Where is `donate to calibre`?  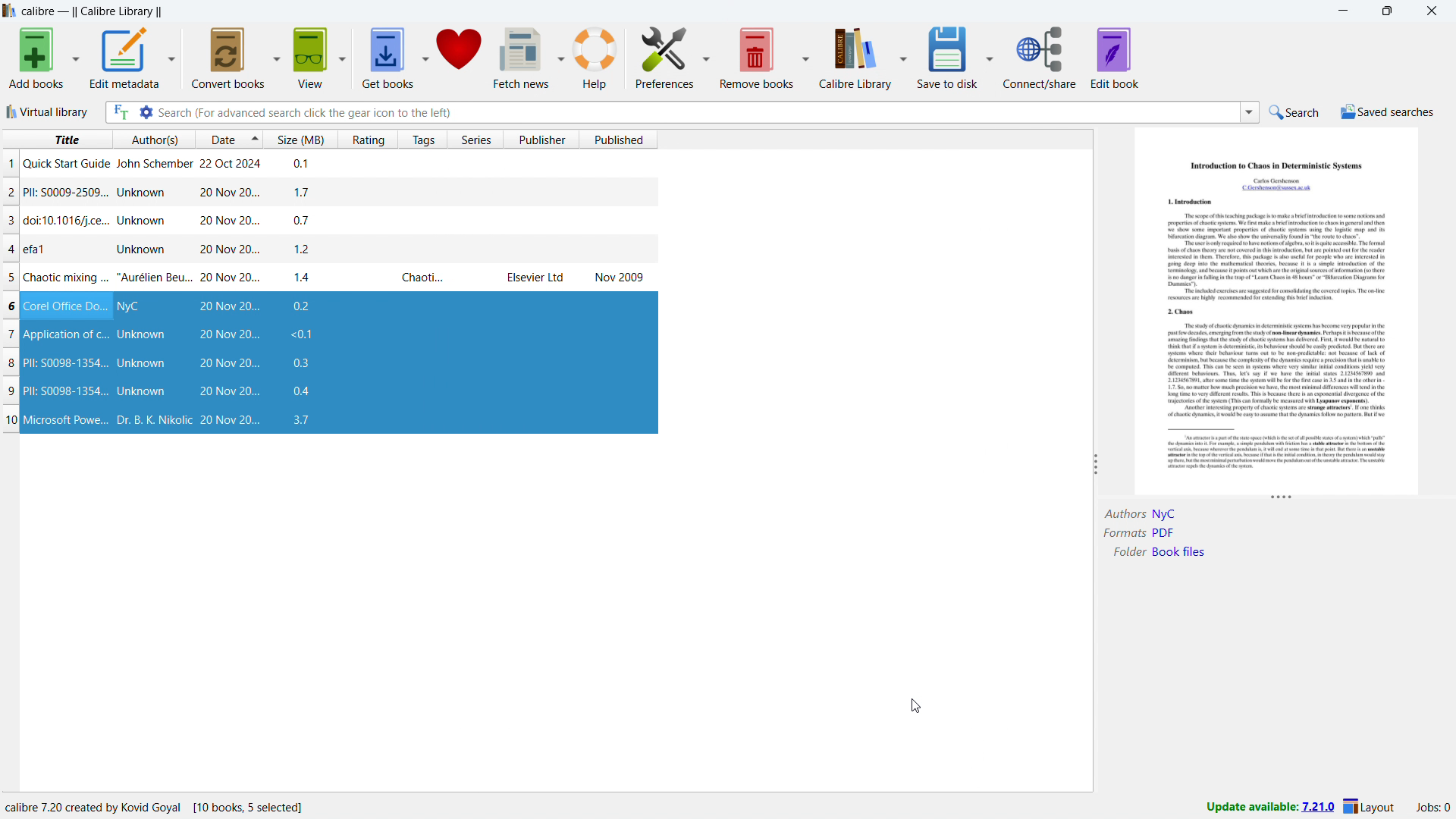 donate to calibre is located at coordinates (460, 55).